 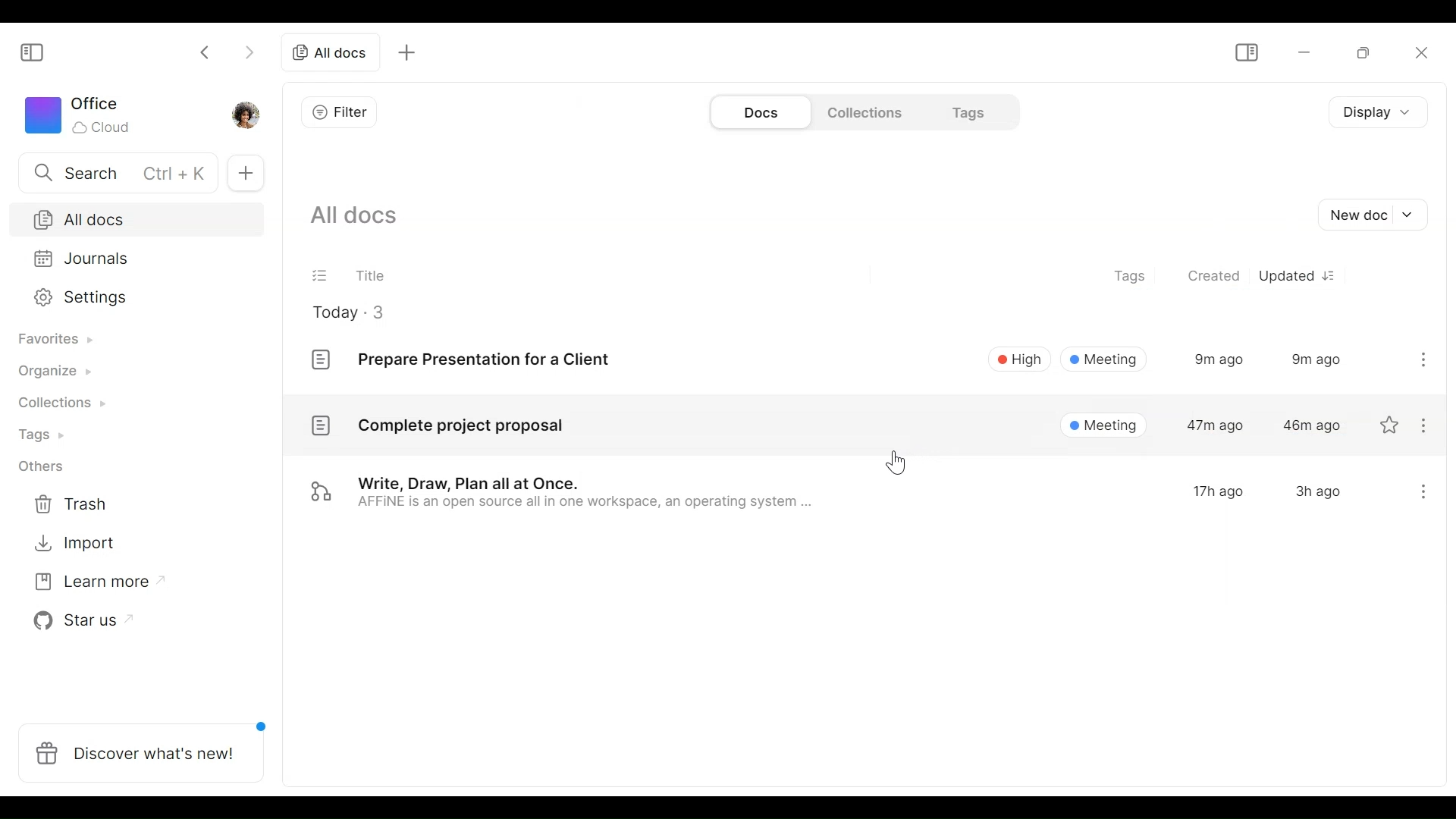 I want to click on Show/Hide Sidebar, so click(x=39, y=53).